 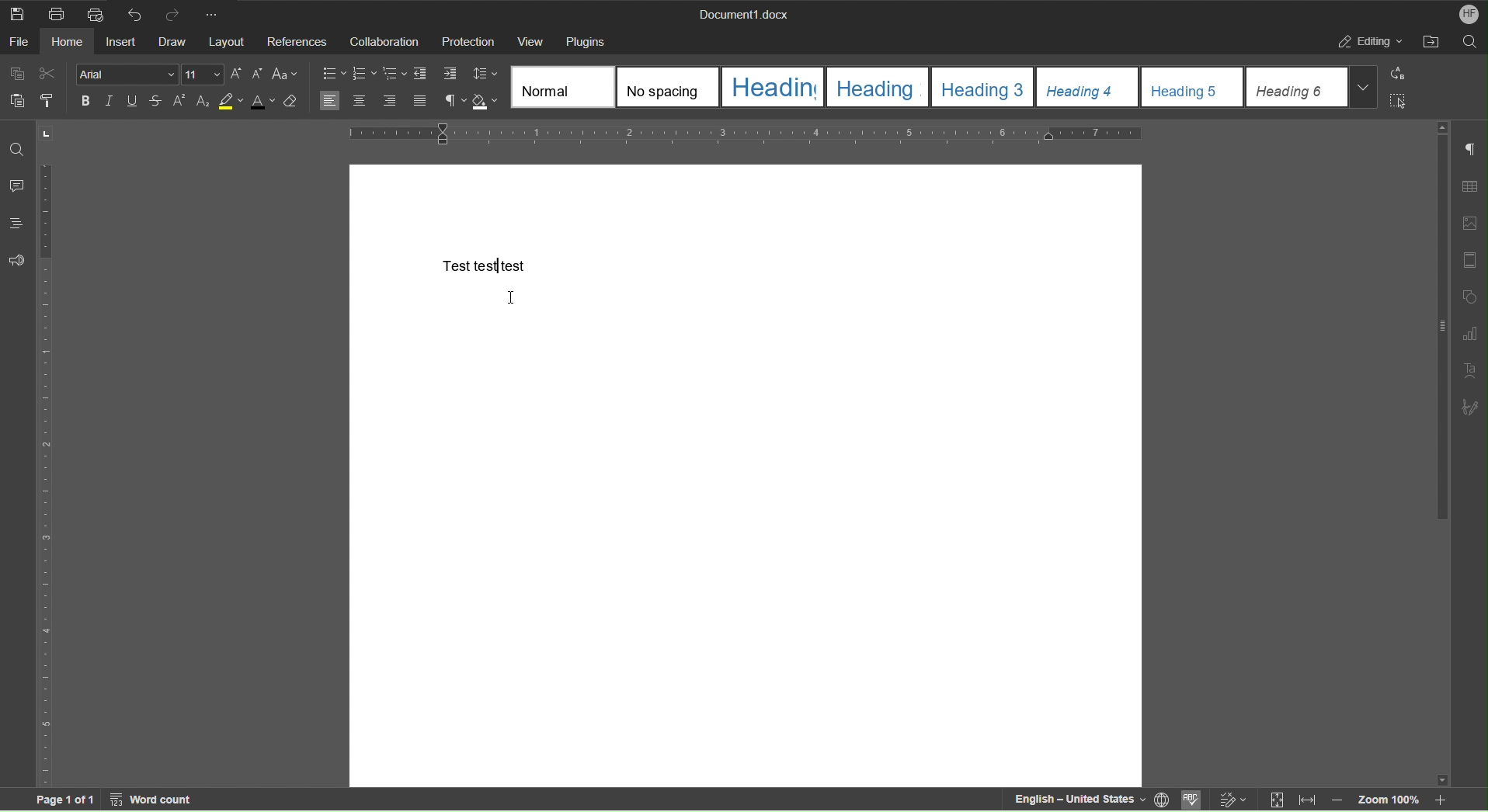 I want to click on File, so click(x=20, y=41).